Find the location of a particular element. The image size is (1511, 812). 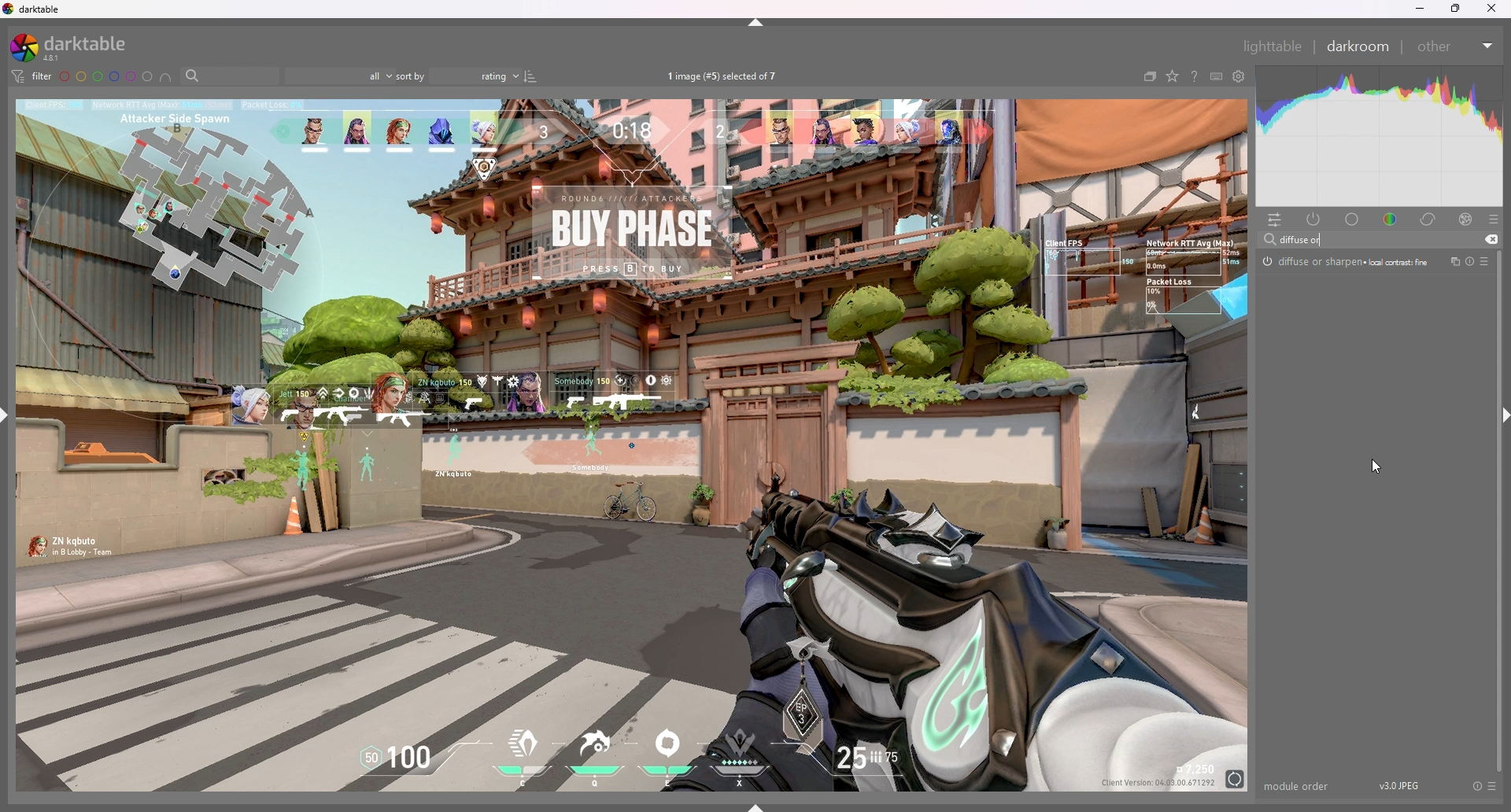

close is located at coordinates (1491, 10).